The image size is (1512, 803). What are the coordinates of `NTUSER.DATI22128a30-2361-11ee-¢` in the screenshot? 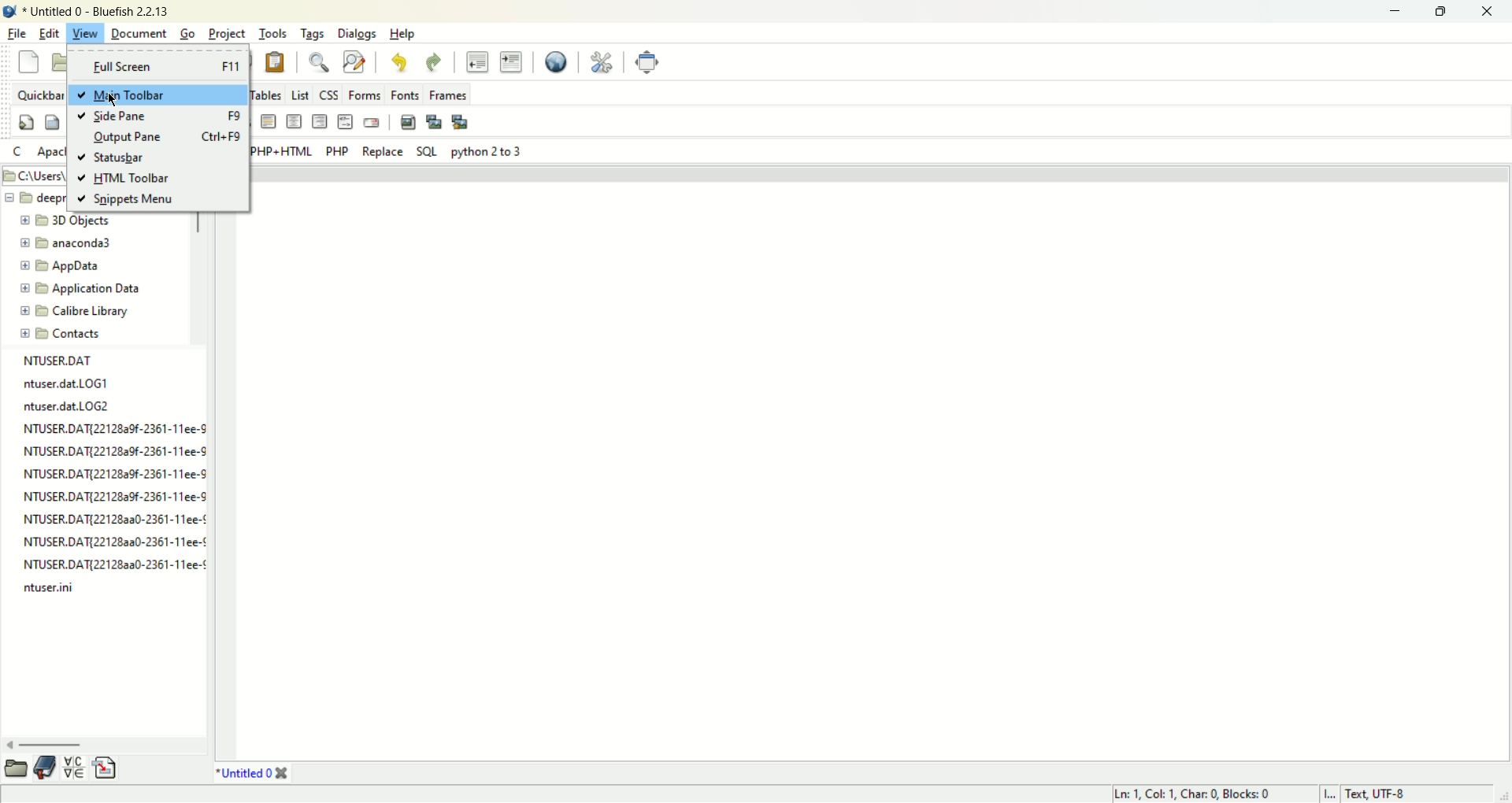 It's located at (114, 539).